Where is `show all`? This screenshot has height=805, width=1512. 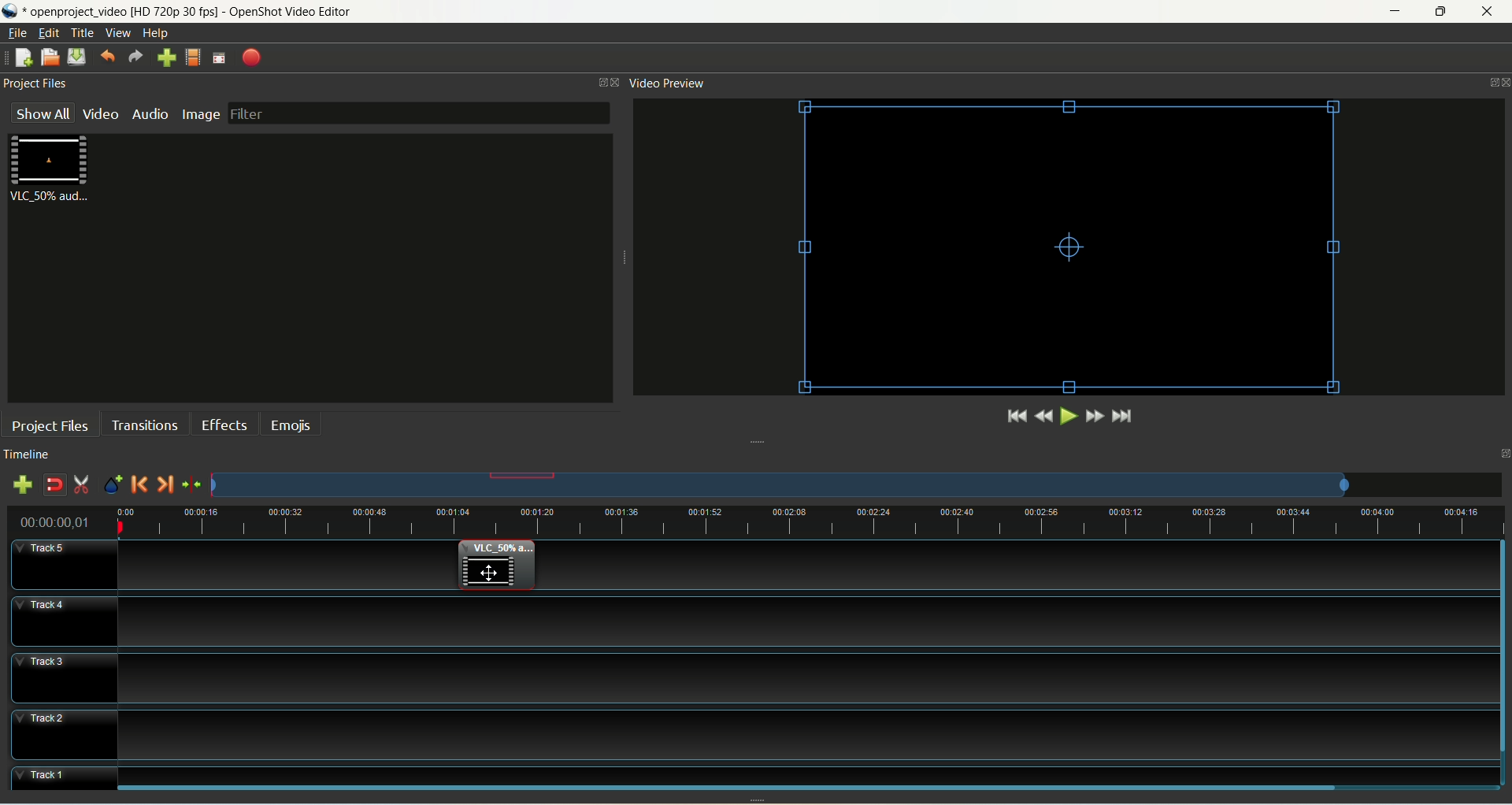
show all is located at coordinates (44, 112).